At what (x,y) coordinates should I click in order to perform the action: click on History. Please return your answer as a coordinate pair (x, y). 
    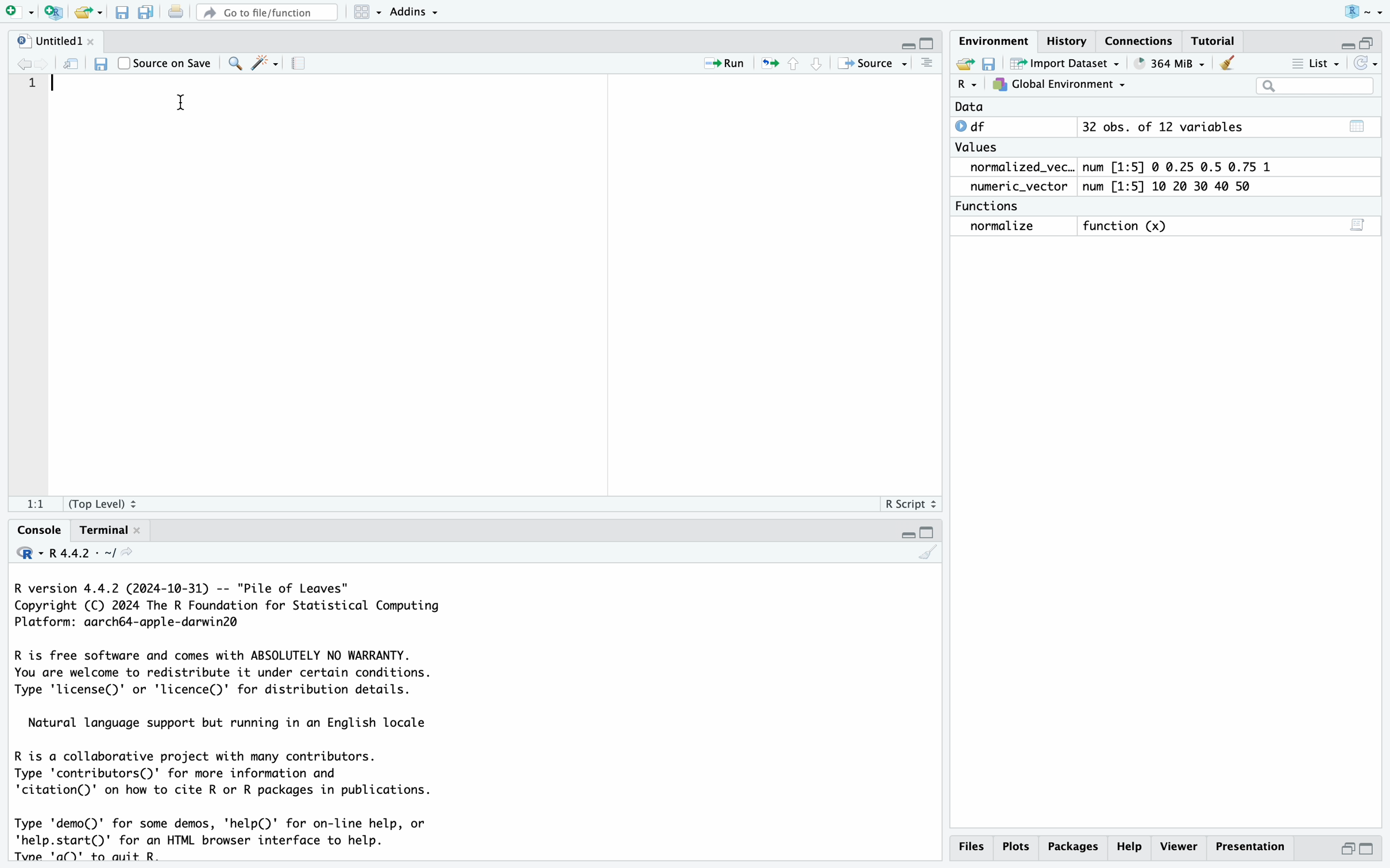
    Looking at the image, I should click on (1068, 44).